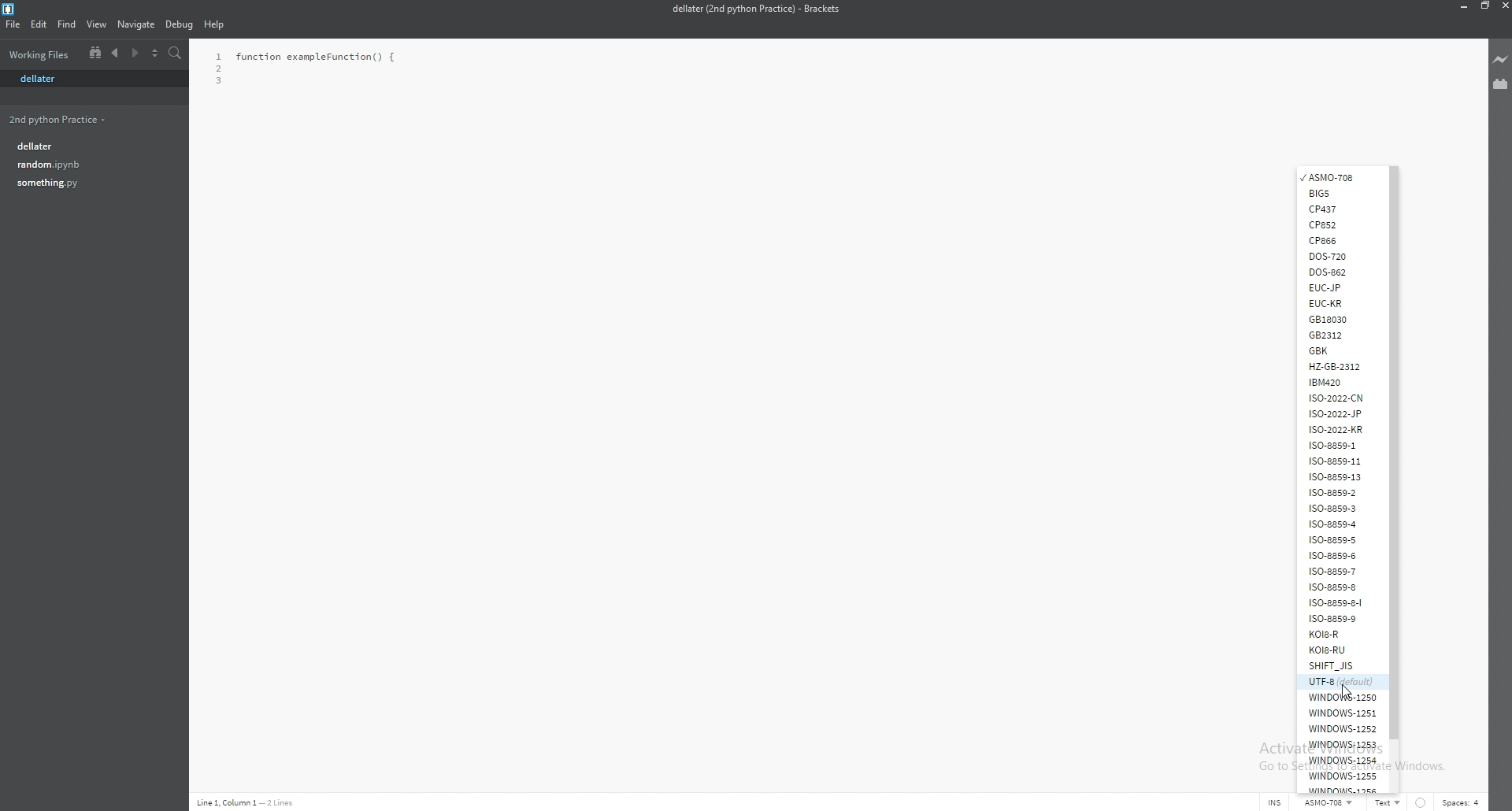  I want to click on iso-8859-2, so click(1340, 492).